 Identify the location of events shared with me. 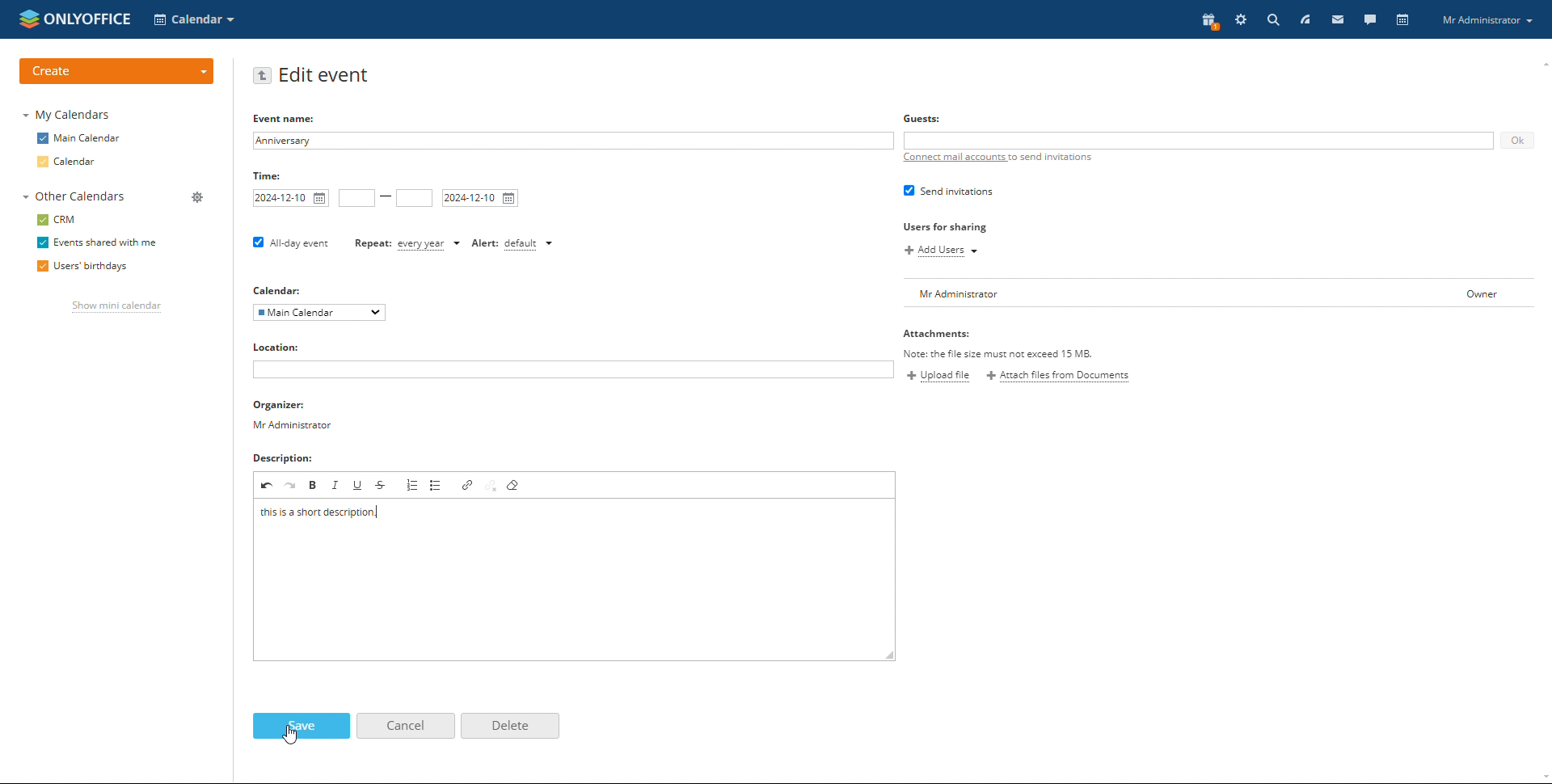
(95, 243).